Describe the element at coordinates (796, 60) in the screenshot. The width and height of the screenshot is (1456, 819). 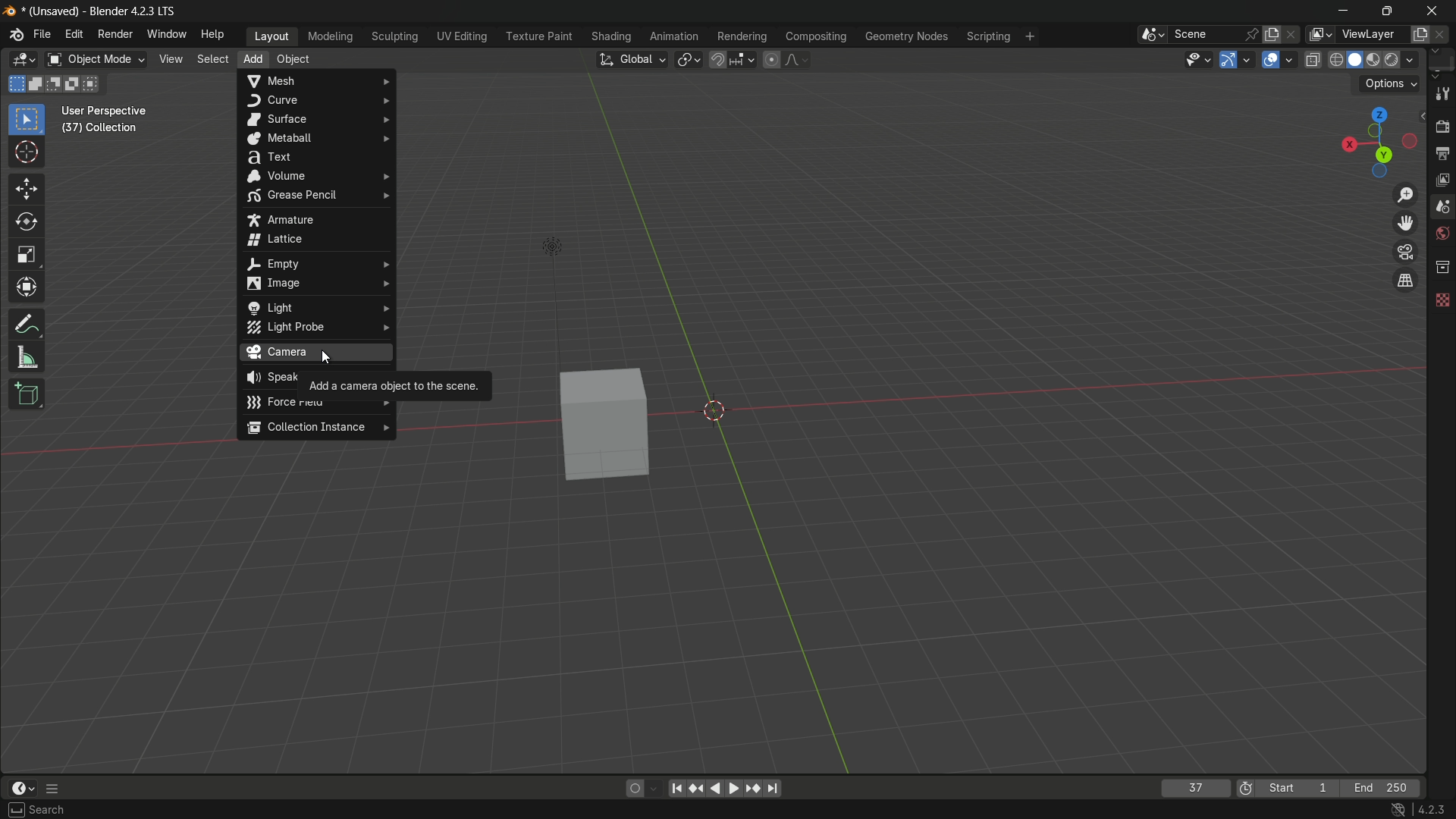
I see `proportional editing falloff` at that location.